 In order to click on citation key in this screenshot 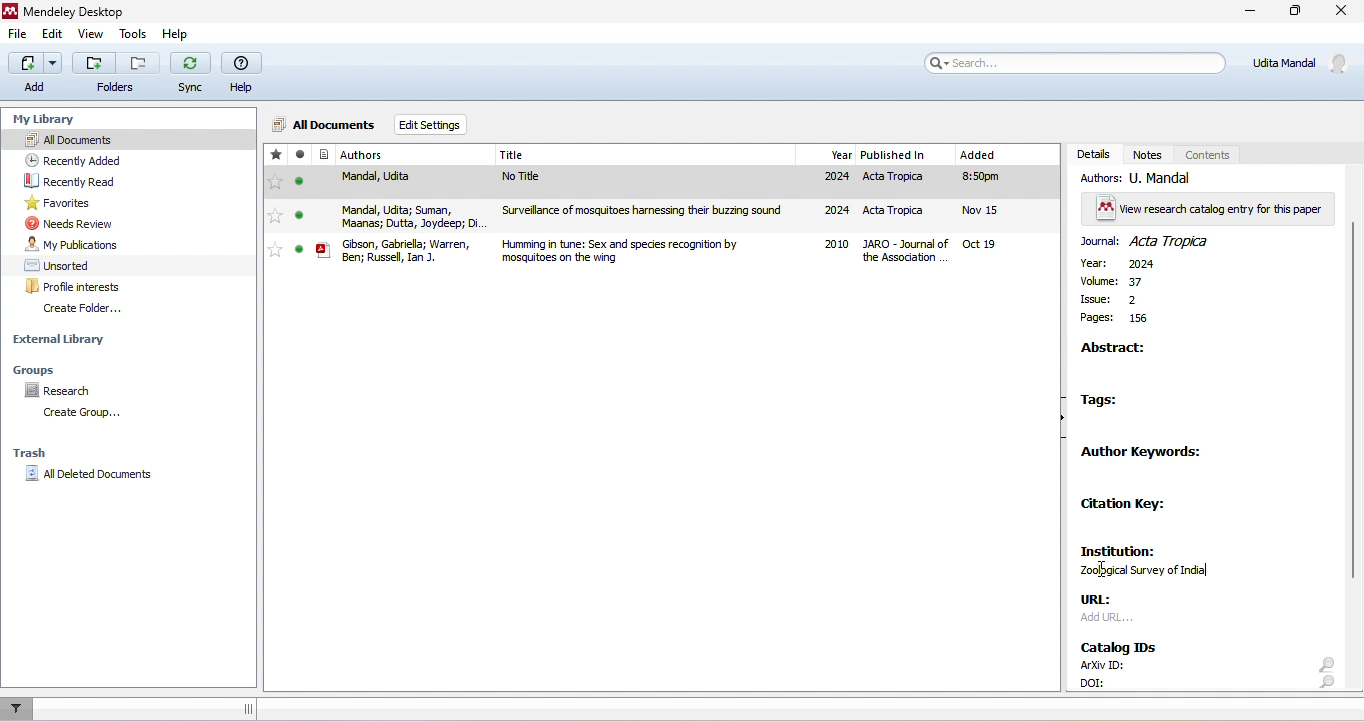, I will do `click(1129, 505)`.